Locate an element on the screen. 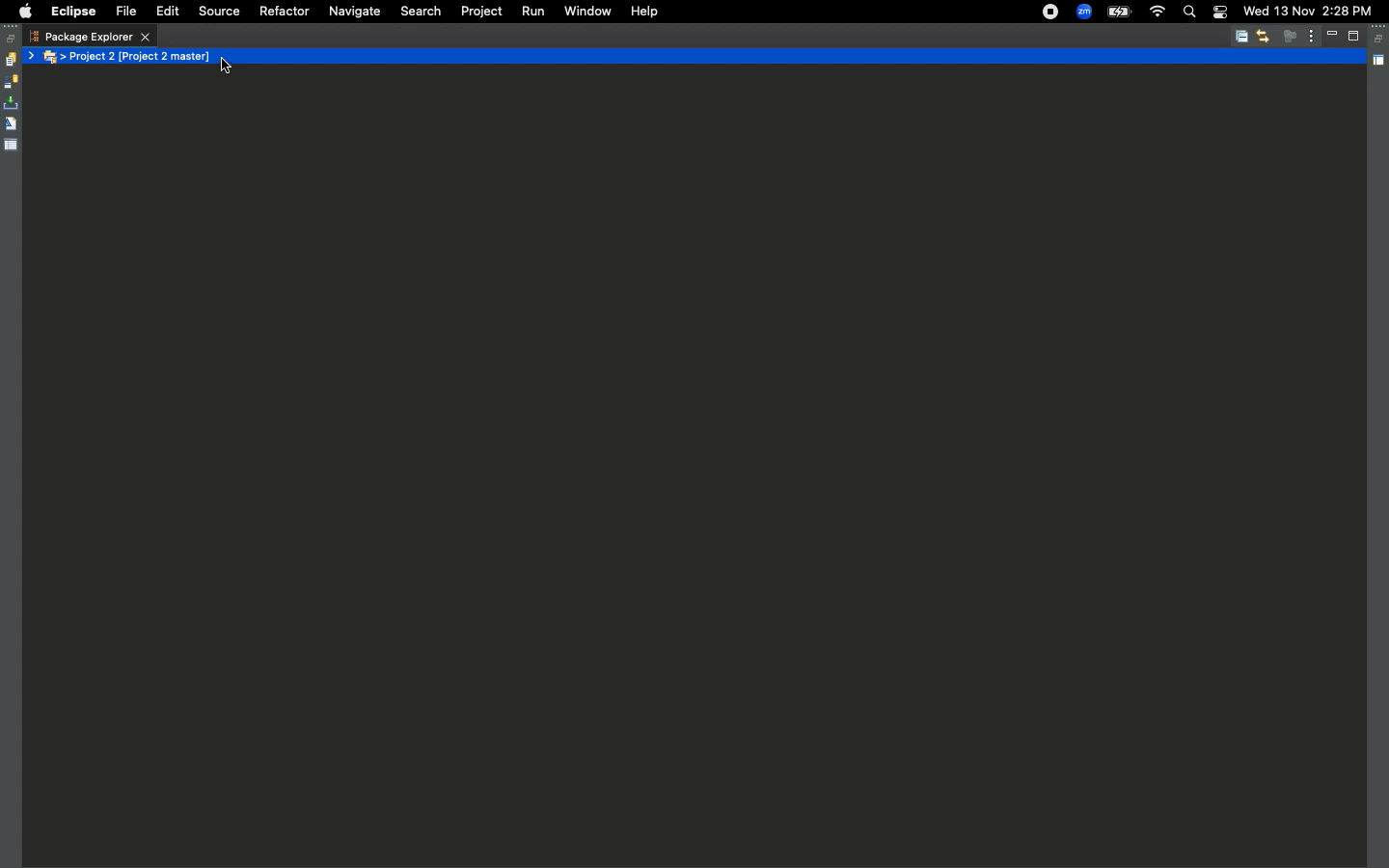 This screenshot has width=1389, height=868. Refactor is located at coordinates (283, 12).